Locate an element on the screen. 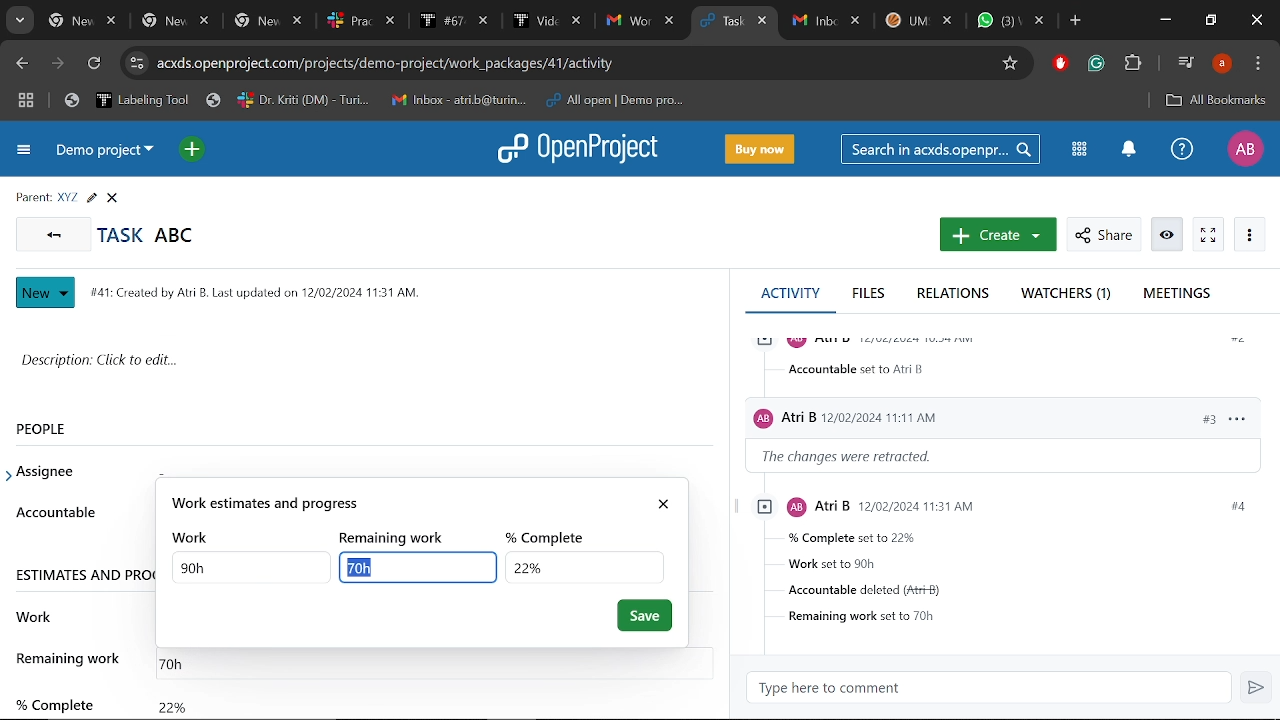 This screenshot has width=1280, height=720. Info is located at coordinates (1168, 235).